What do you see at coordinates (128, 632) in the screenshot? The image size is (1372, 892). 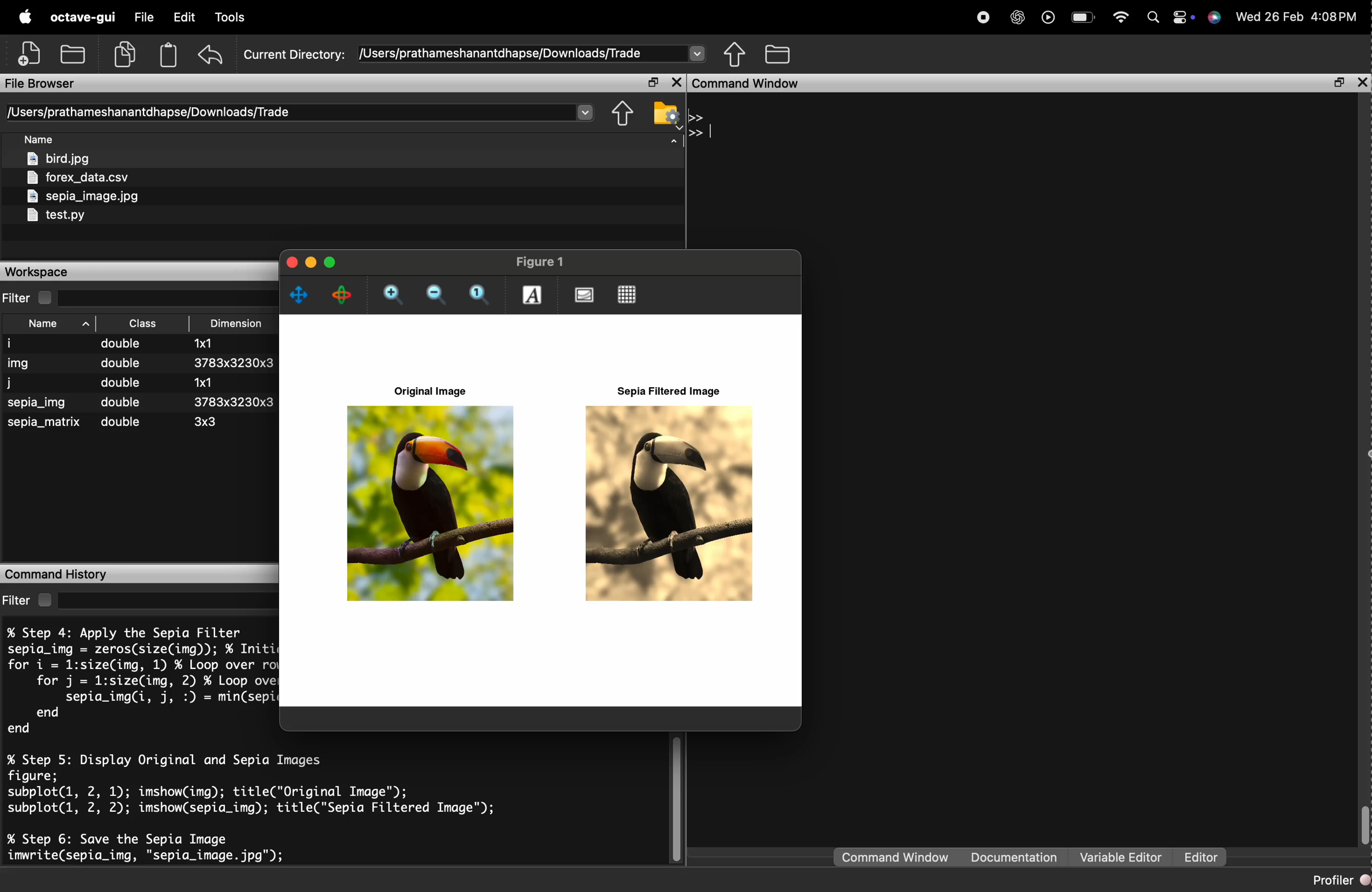 I see `% Step 4: Apply the Sepia Filter` at bounding box center [128, 632].